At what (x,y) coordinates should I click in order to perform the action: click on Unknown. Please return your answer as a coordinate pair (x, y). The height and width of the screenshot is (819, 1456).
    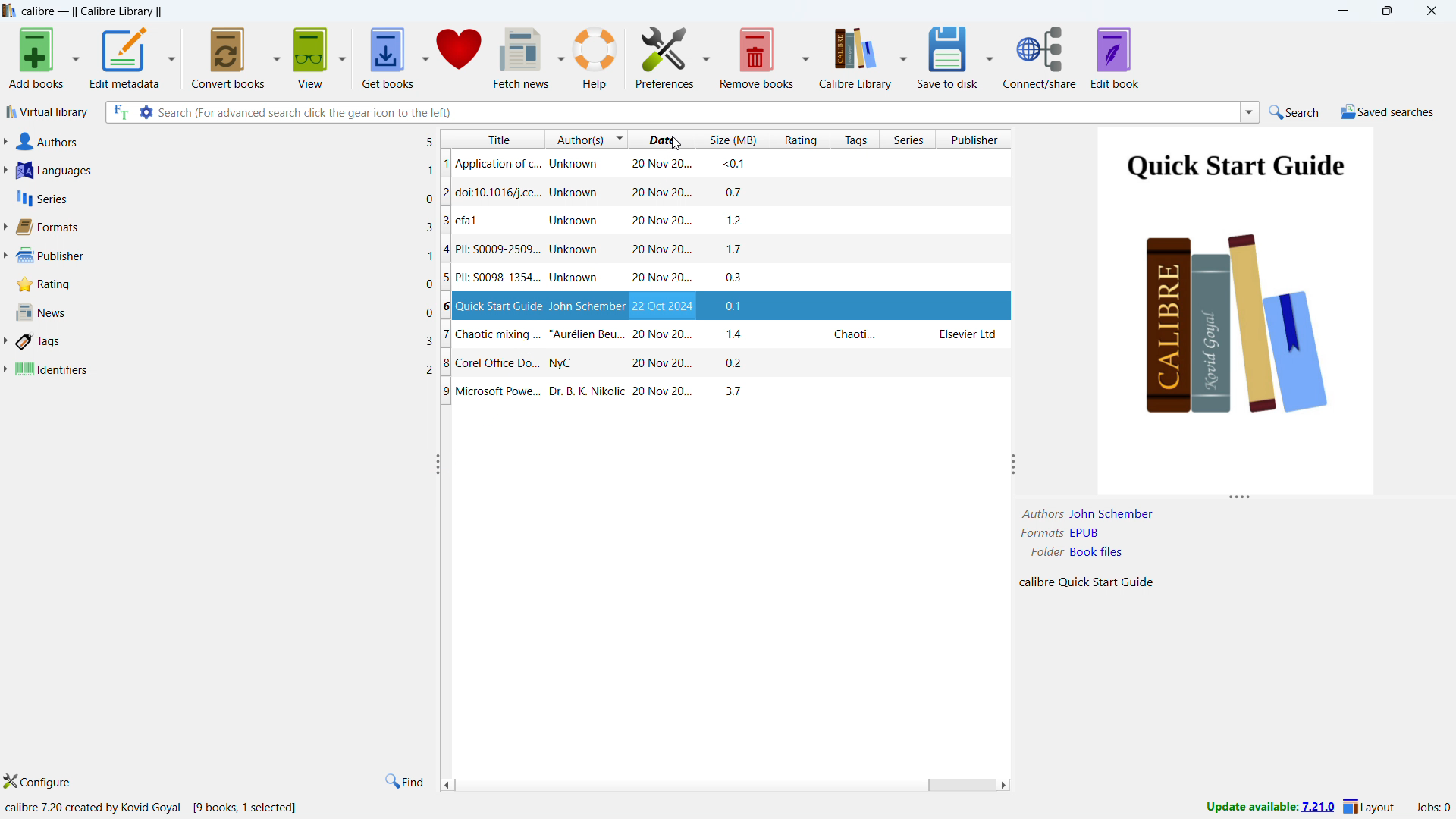
    Looking at the image, I should click on (582, 163).